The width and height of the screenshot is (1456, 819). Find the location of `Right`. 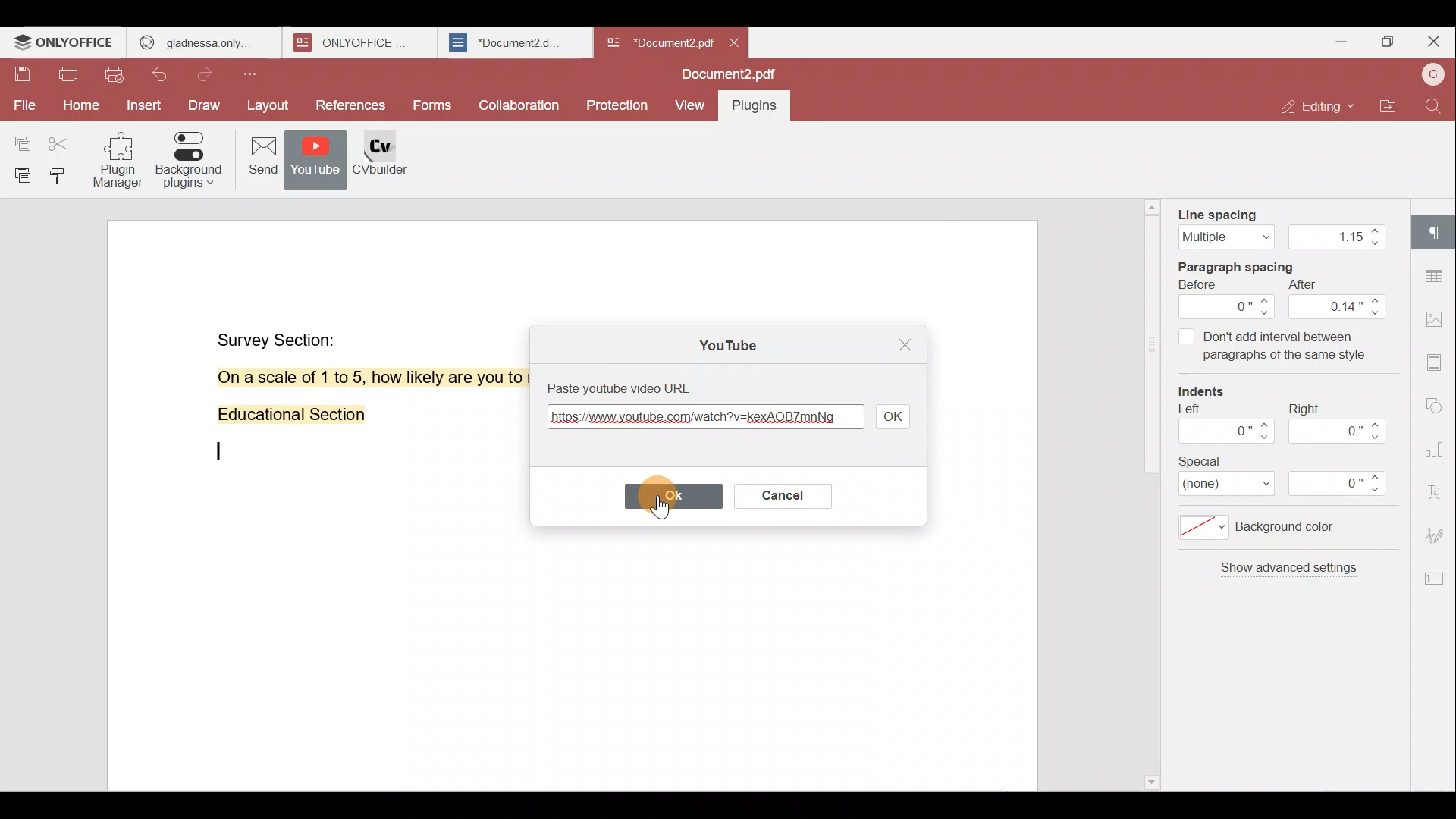

Right is located at coordinates (1341, 423).